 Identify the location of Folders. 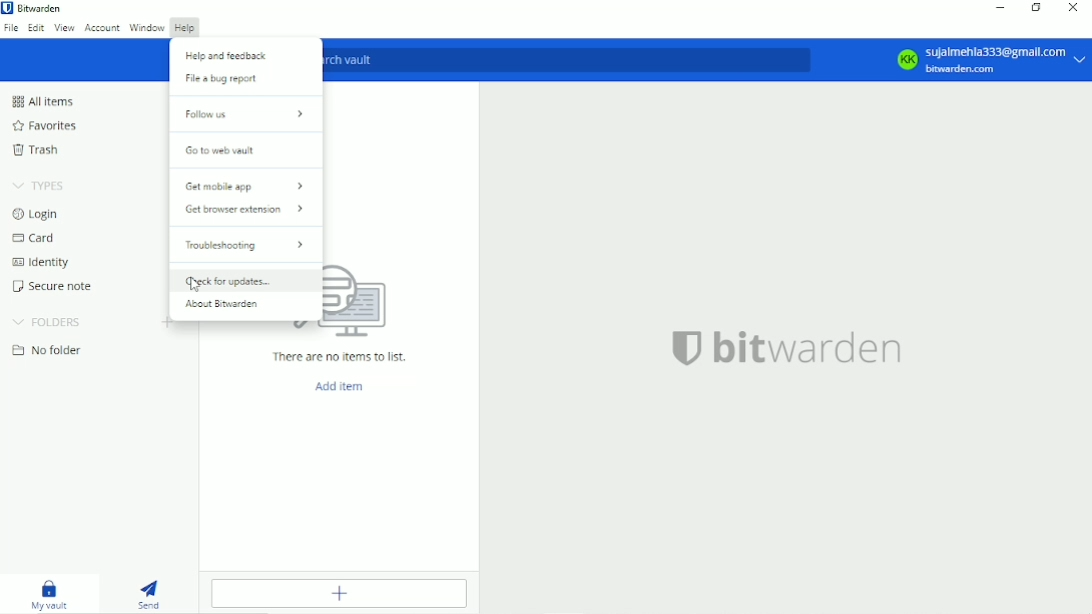
(48, 319).